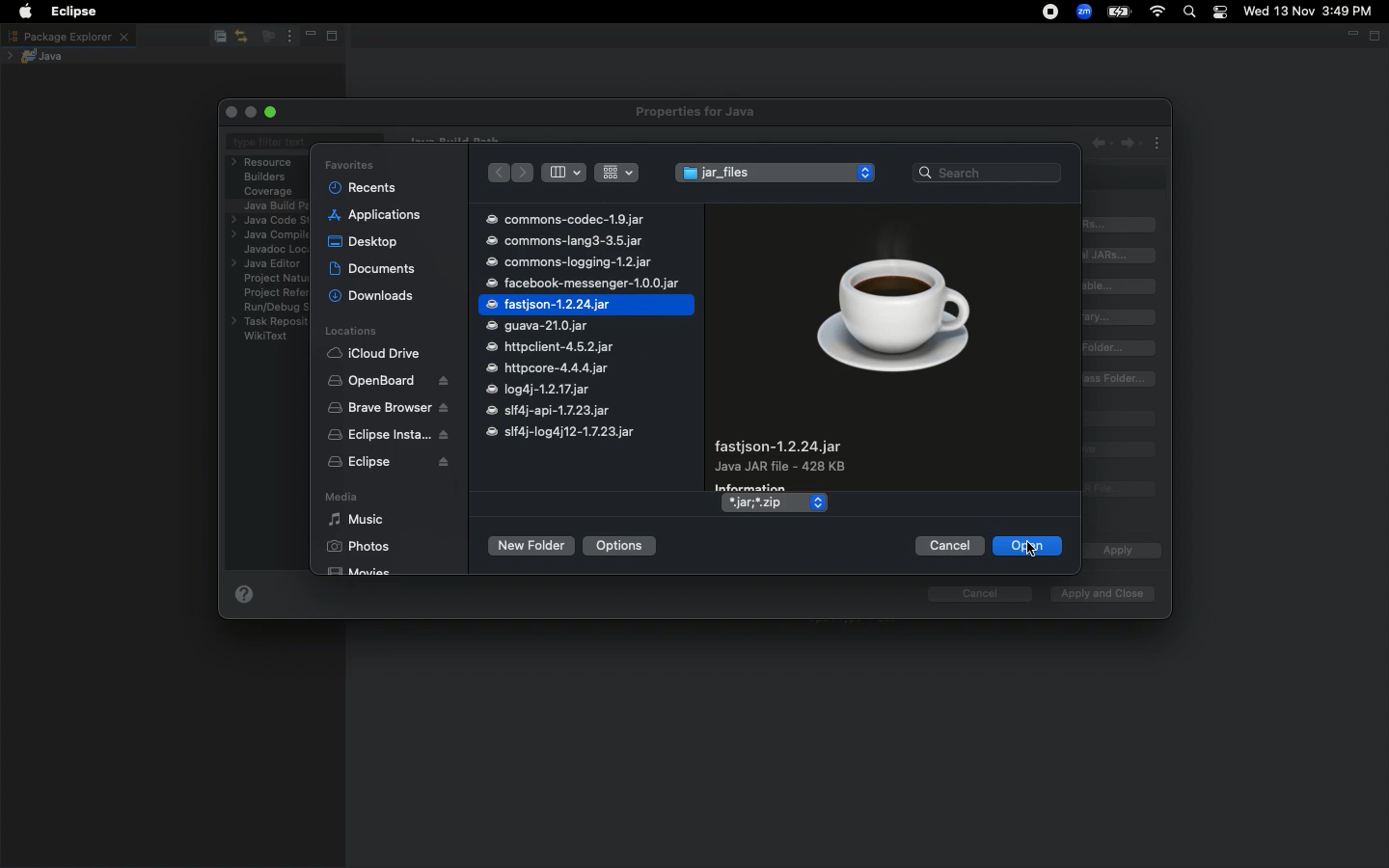  Describe the element at coordinates (218, 38) in the screenshot. I see `Collapse all` at that location.